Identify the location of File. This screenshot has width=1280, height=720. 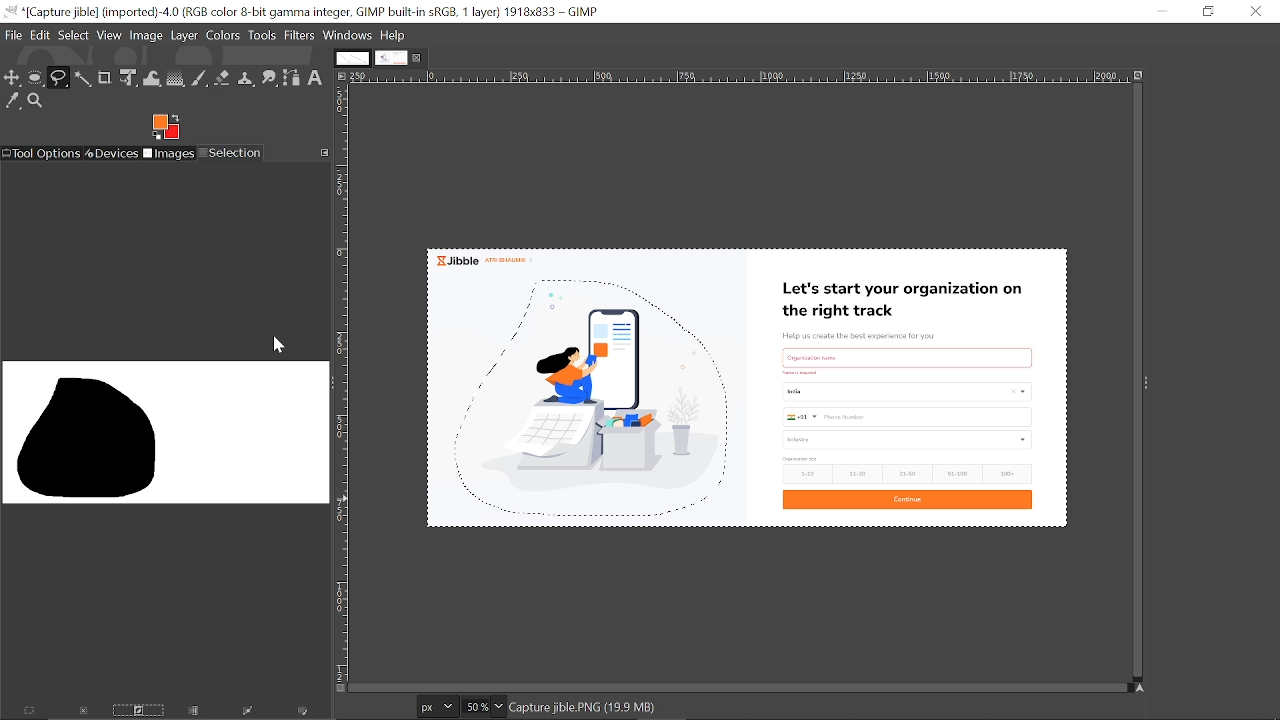
(13, 33).